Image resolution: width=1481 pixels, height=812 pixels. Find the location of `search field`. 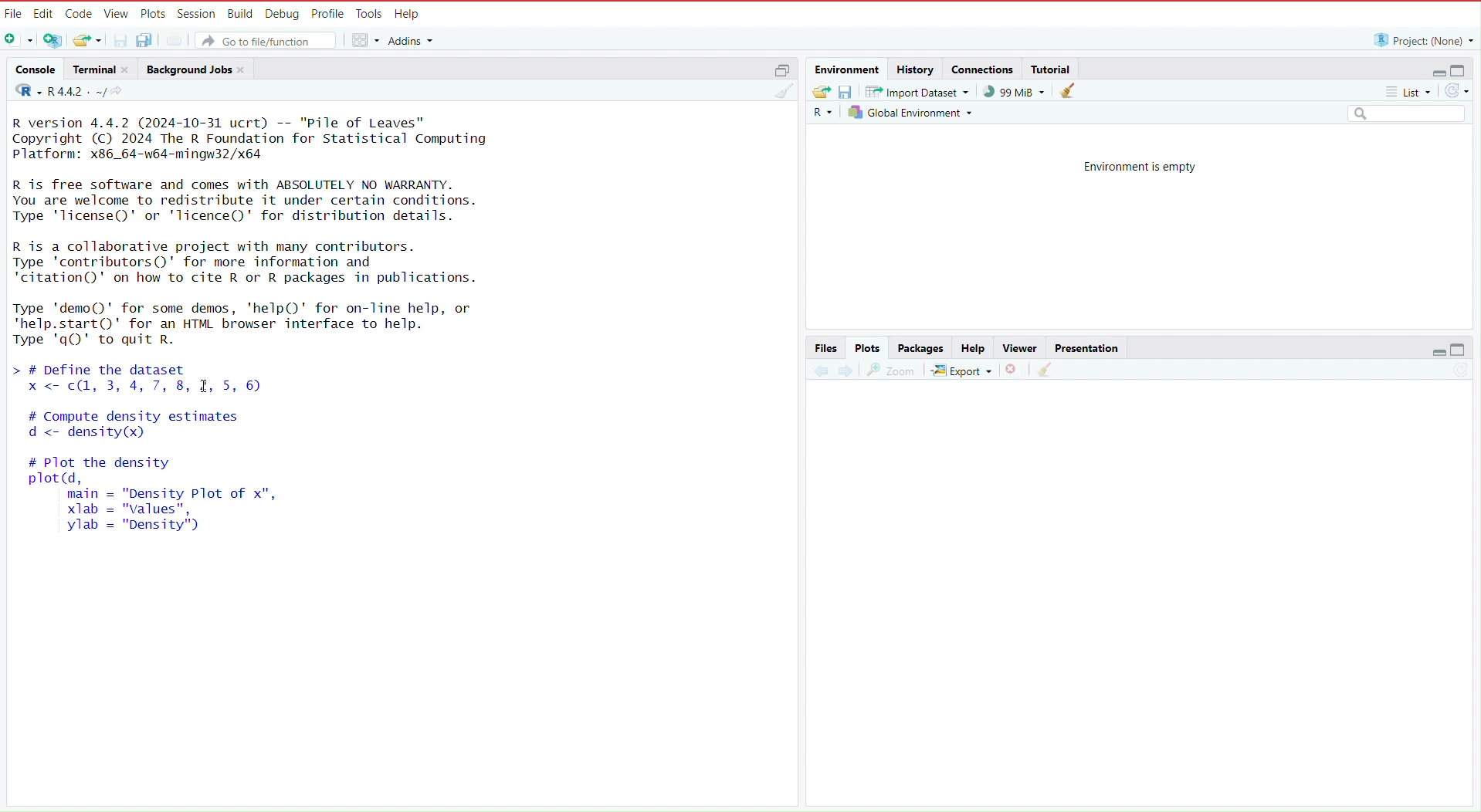

search field is located at coordinates (1409, 114).